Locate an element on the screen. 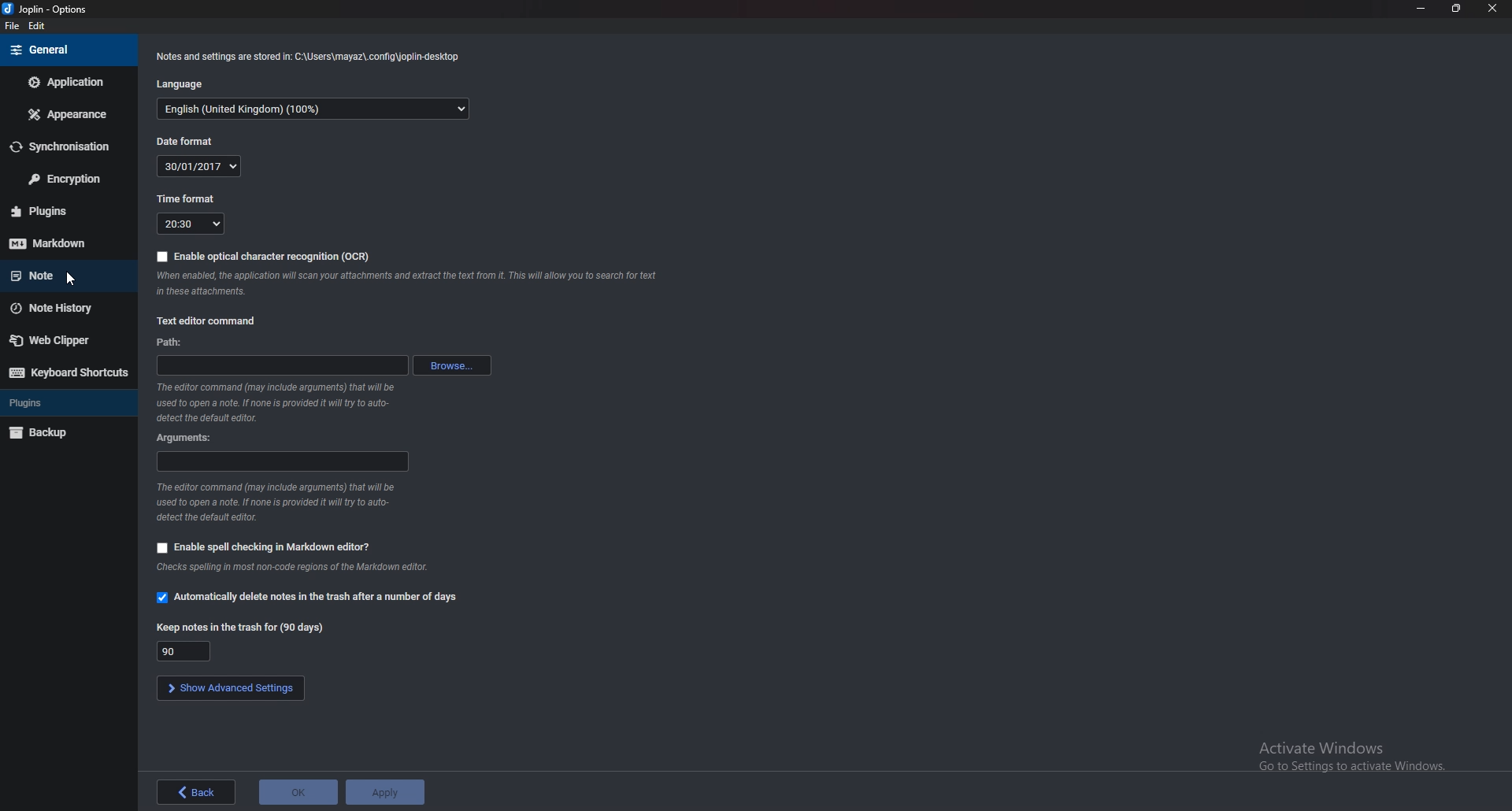 The width and height of the screenshot is (1512, 811). Note history is located at coordinates (62, 309).